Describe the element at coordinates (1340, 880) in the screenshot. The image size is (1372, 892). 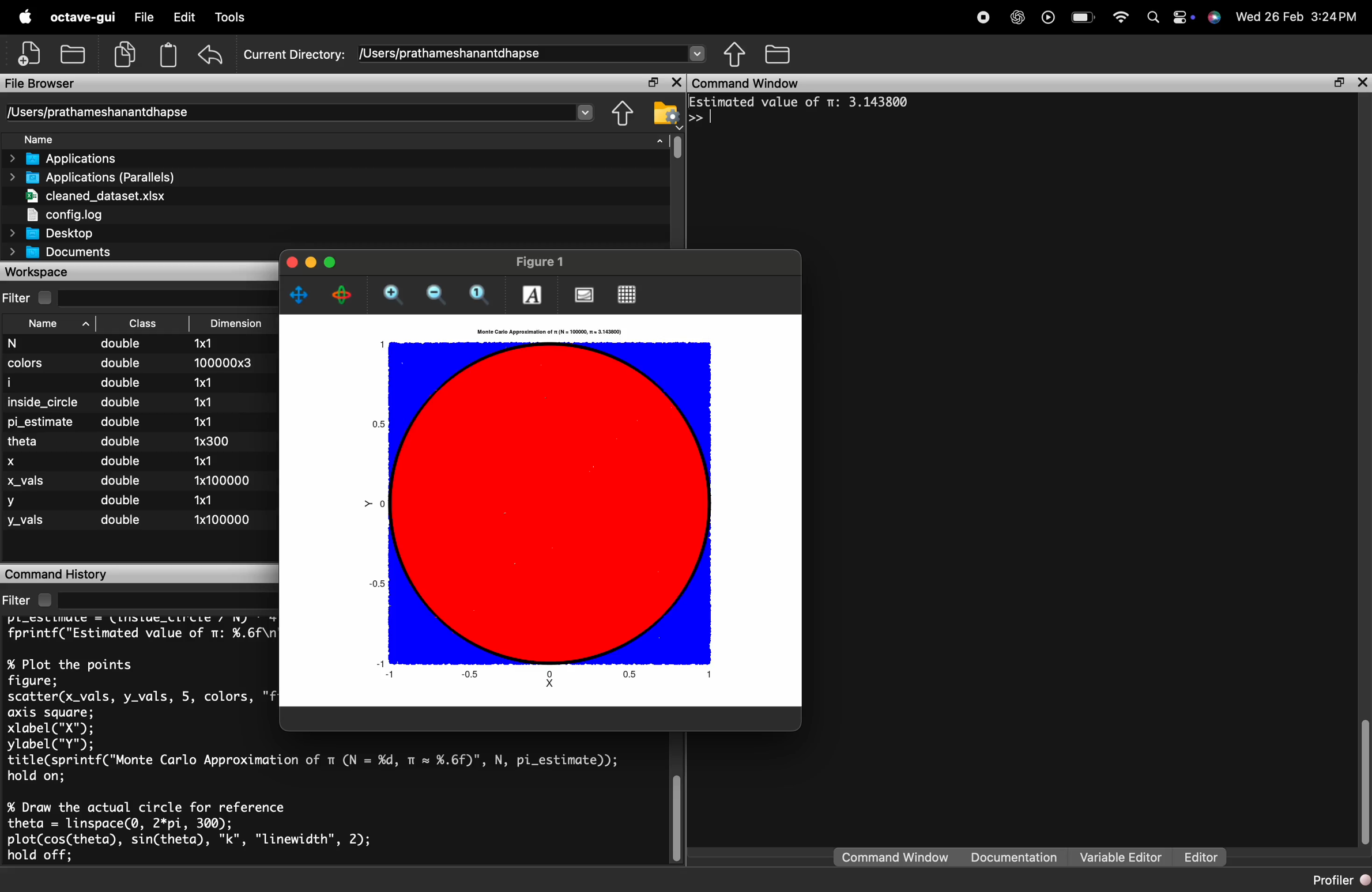
I see `Profiler` at that location.